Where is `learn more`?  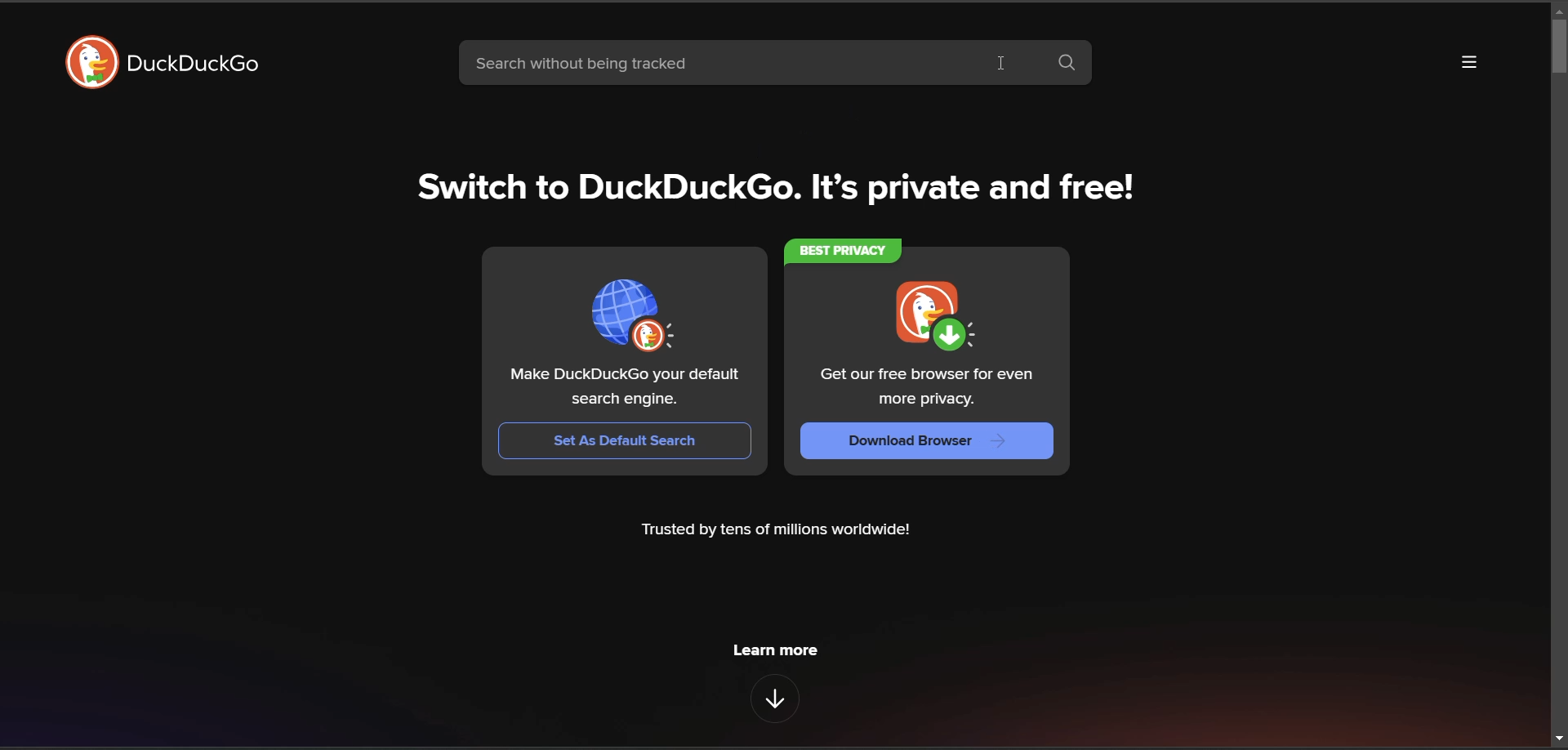 learn more is located at coordinates (775, 650).